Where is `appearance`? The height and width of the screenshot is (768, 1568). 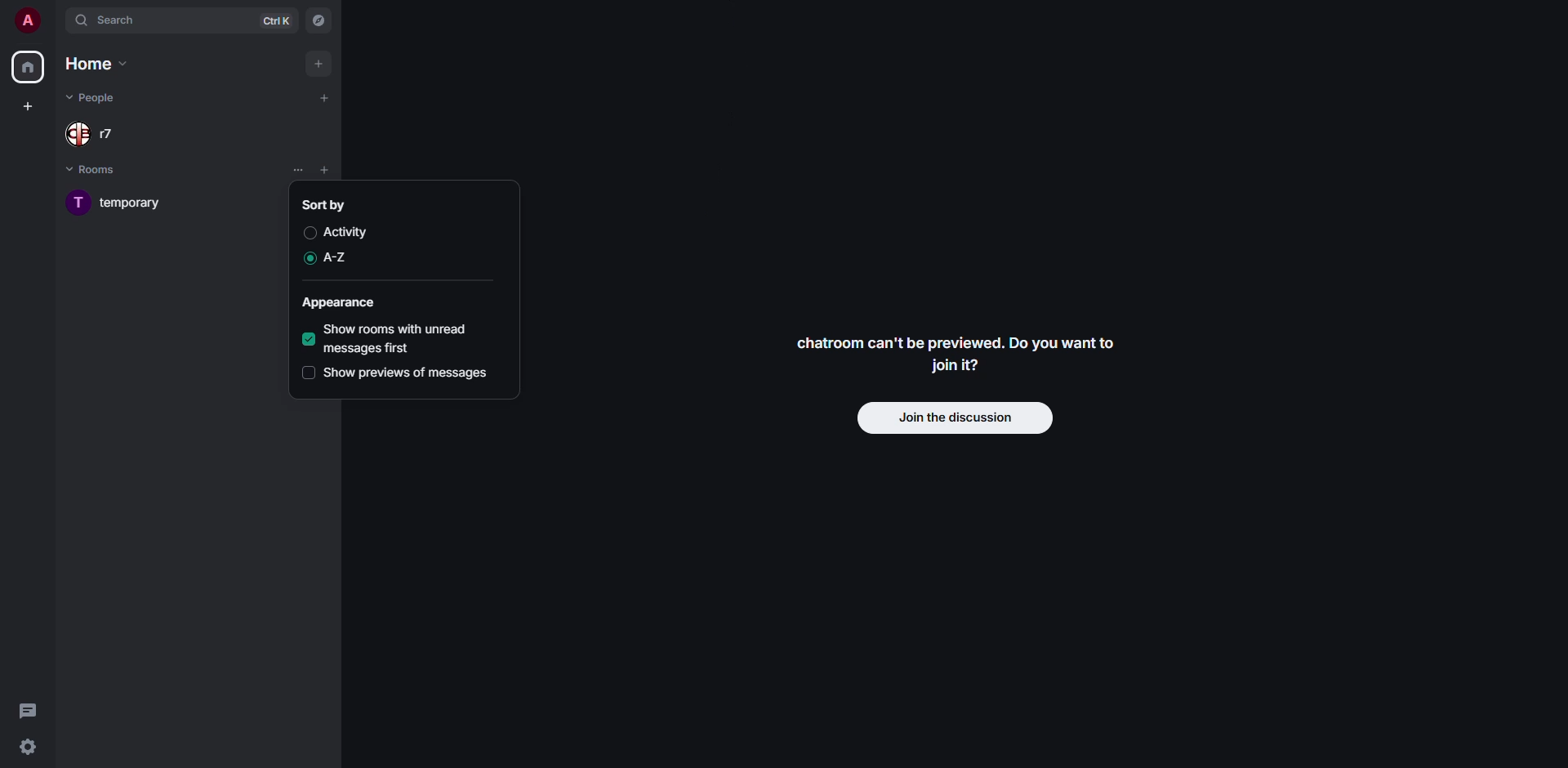
appearance is located at coordinates (344, 303).